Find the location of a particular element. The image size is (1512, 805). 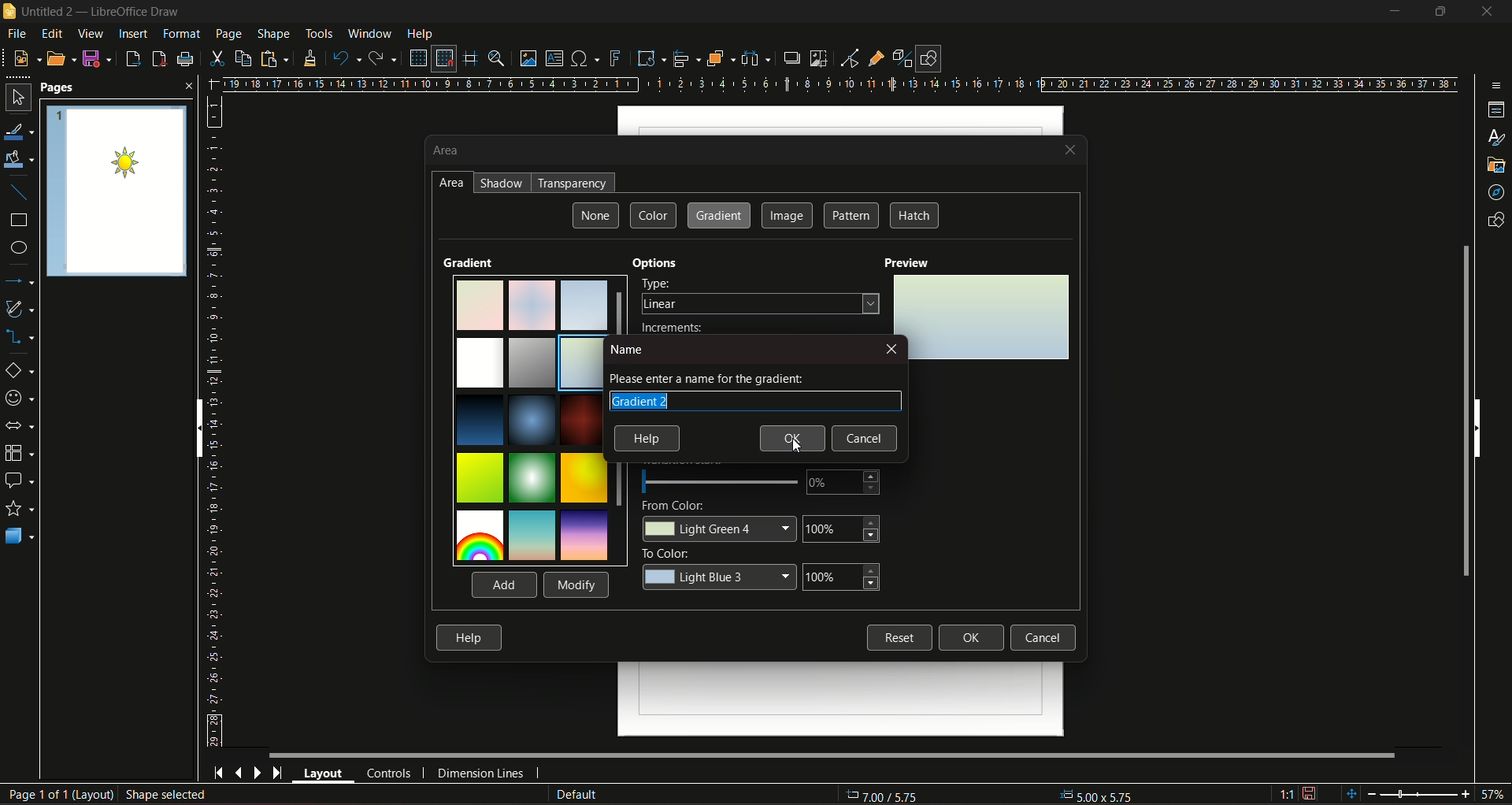

Gradient name is located at coordinates (754, 400).